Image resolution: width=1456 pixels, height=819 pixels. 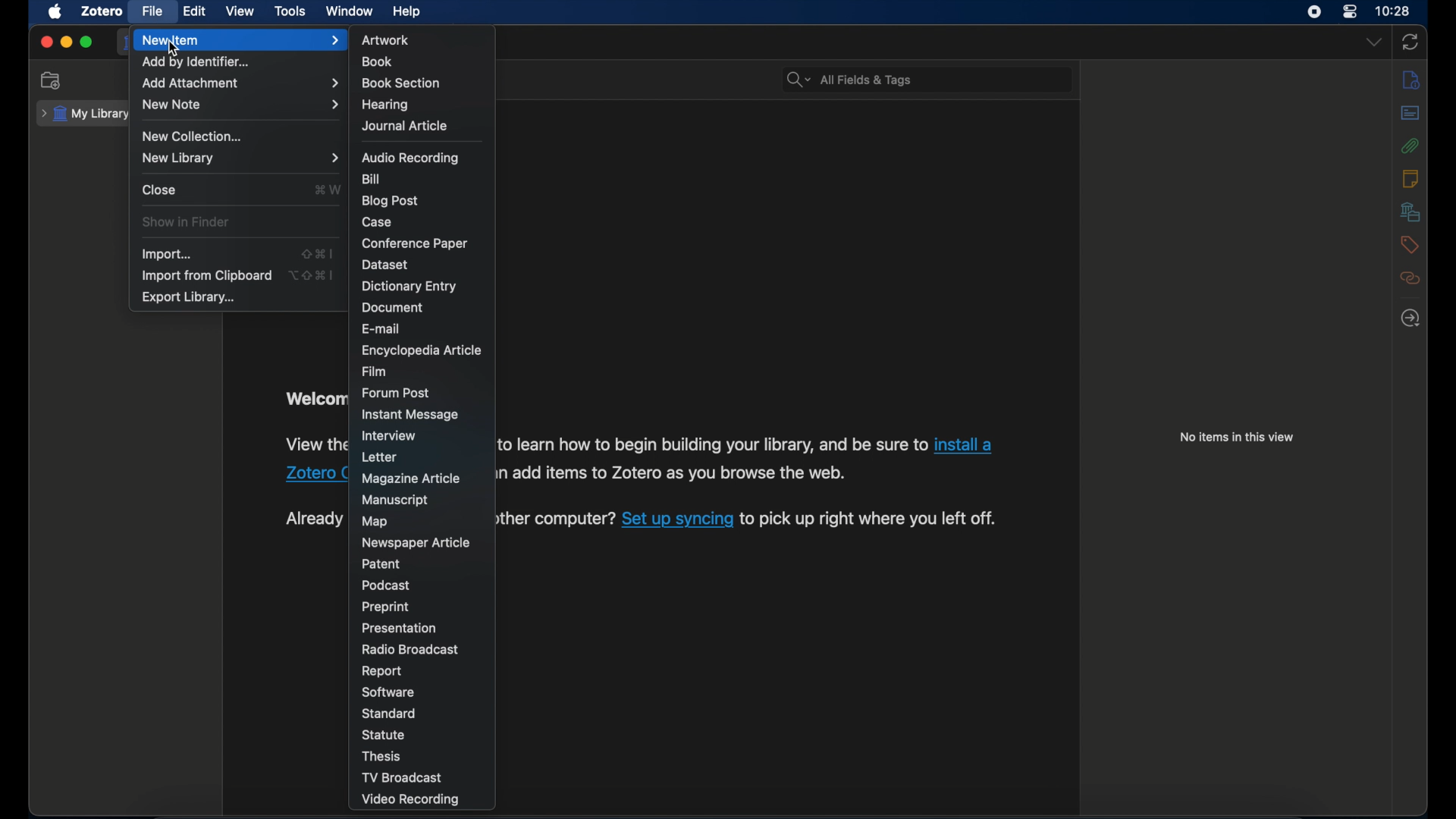 What do you see at coordinates (378, 222) in the screenshot?
I see `case` at bounding box center [378, 222].